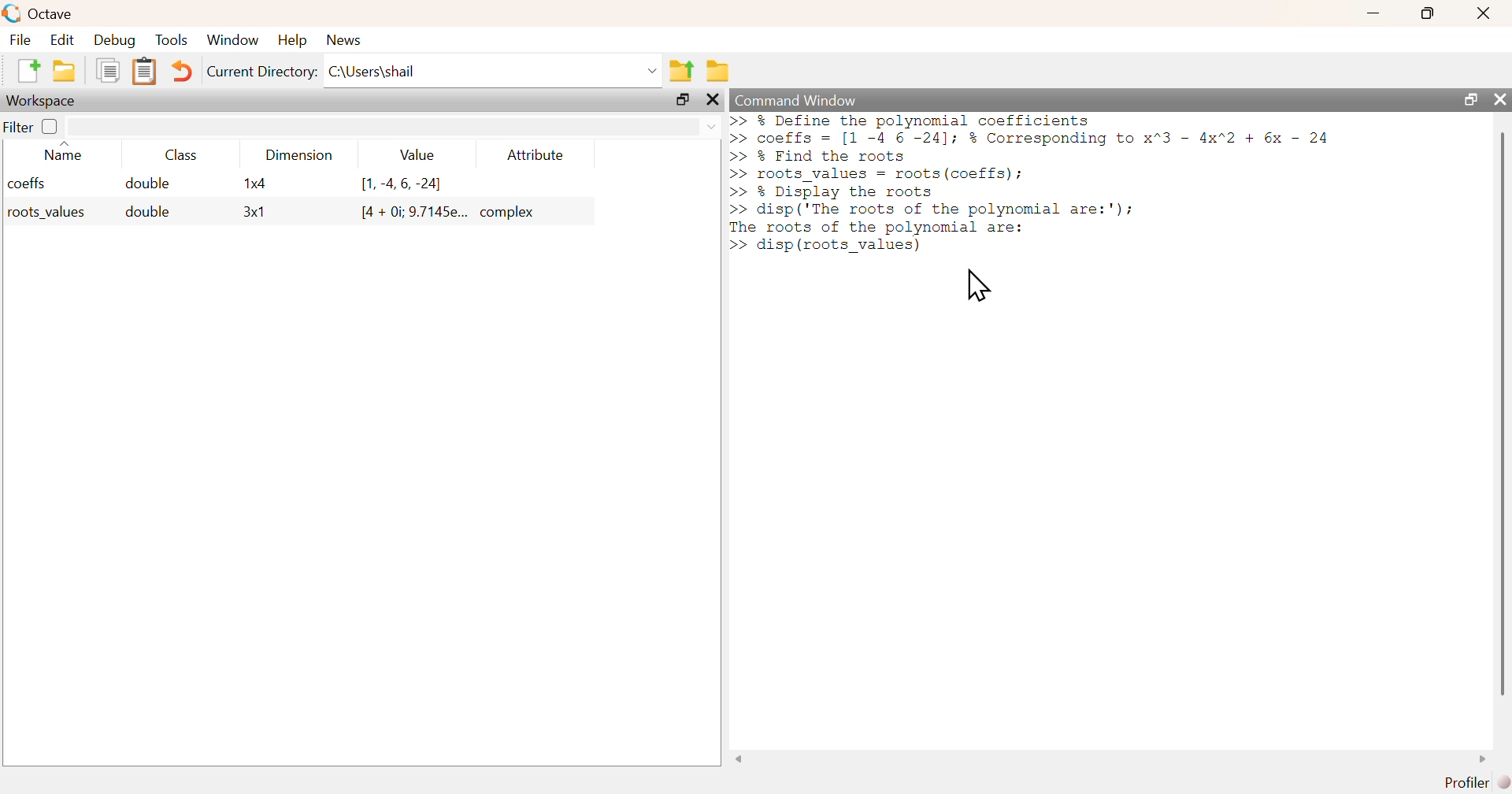  What do you see at coordinates (1483, 13) in the screenshot?
I see `close` at bounding box center [1483, 13].